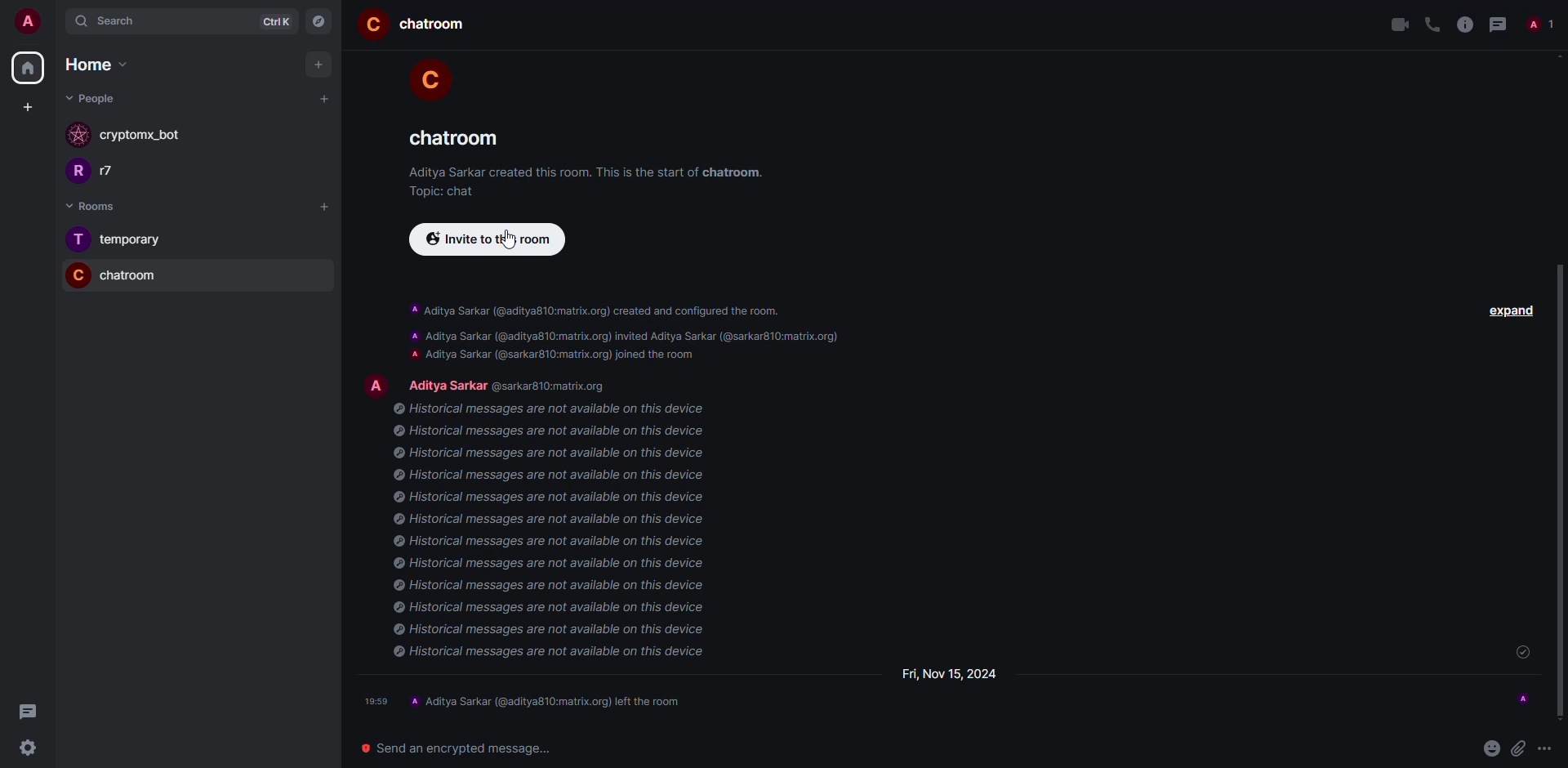  Describe the element at coordinates (434, 25) in the screenshot. I see `room` at that location.